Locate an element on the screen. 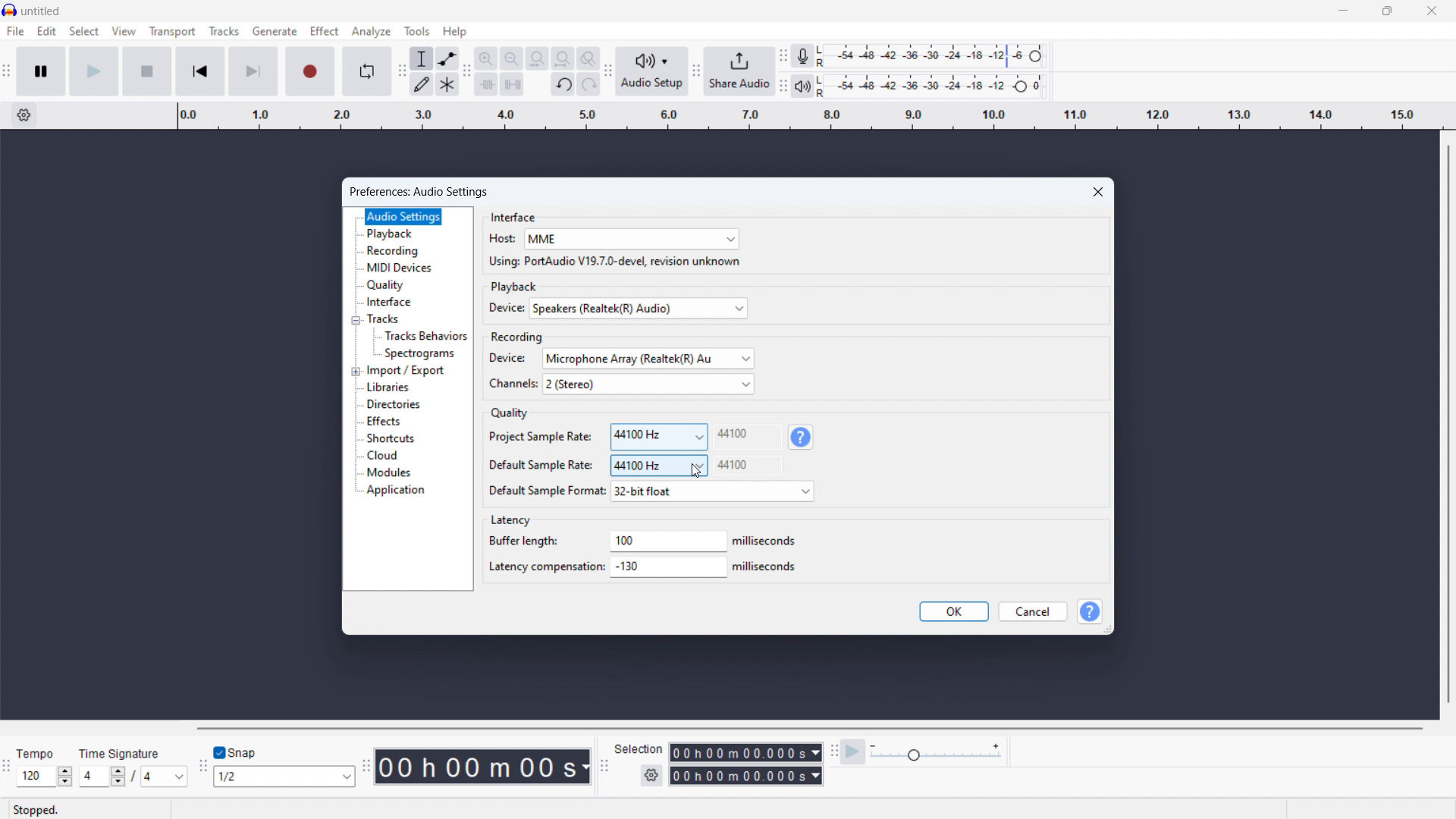 The height and width of the screenshot is (819, 1456). set time signature is located at coordinates (131, 777).